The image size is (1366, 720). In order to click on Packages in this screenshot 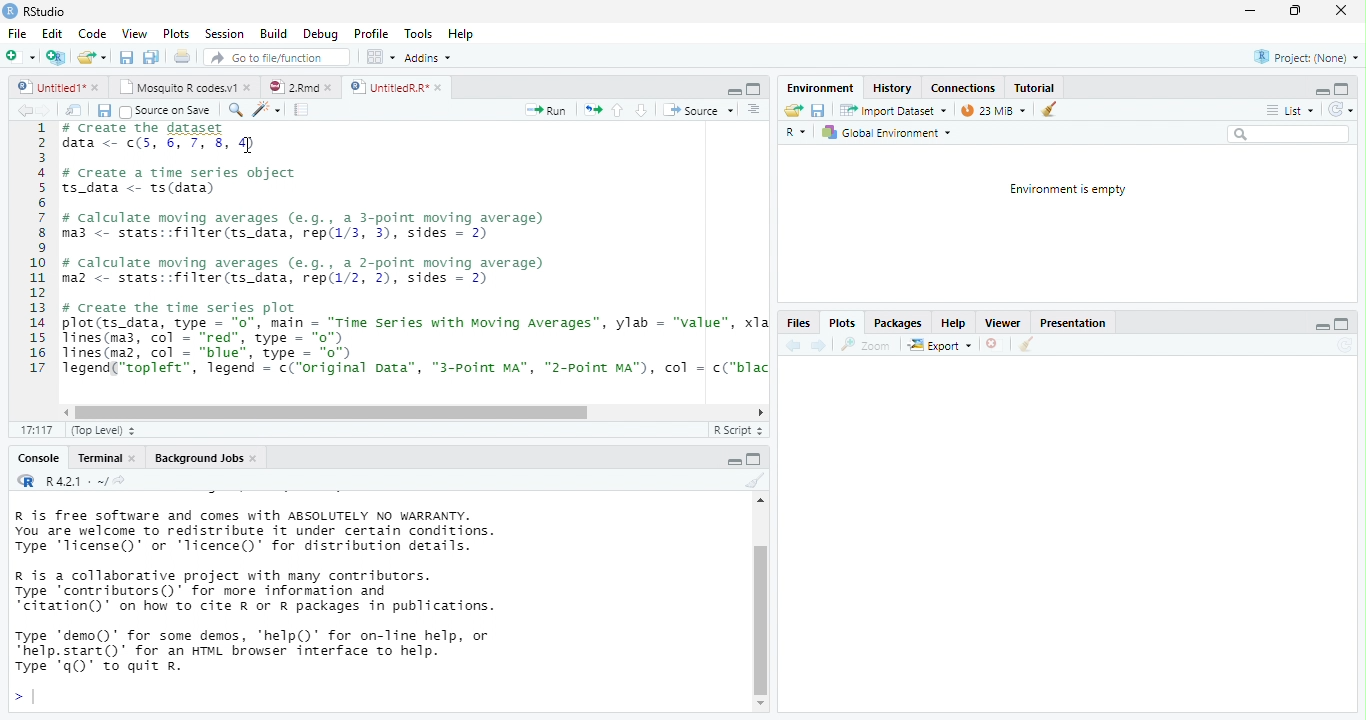, I will do `click(898, 323)`.